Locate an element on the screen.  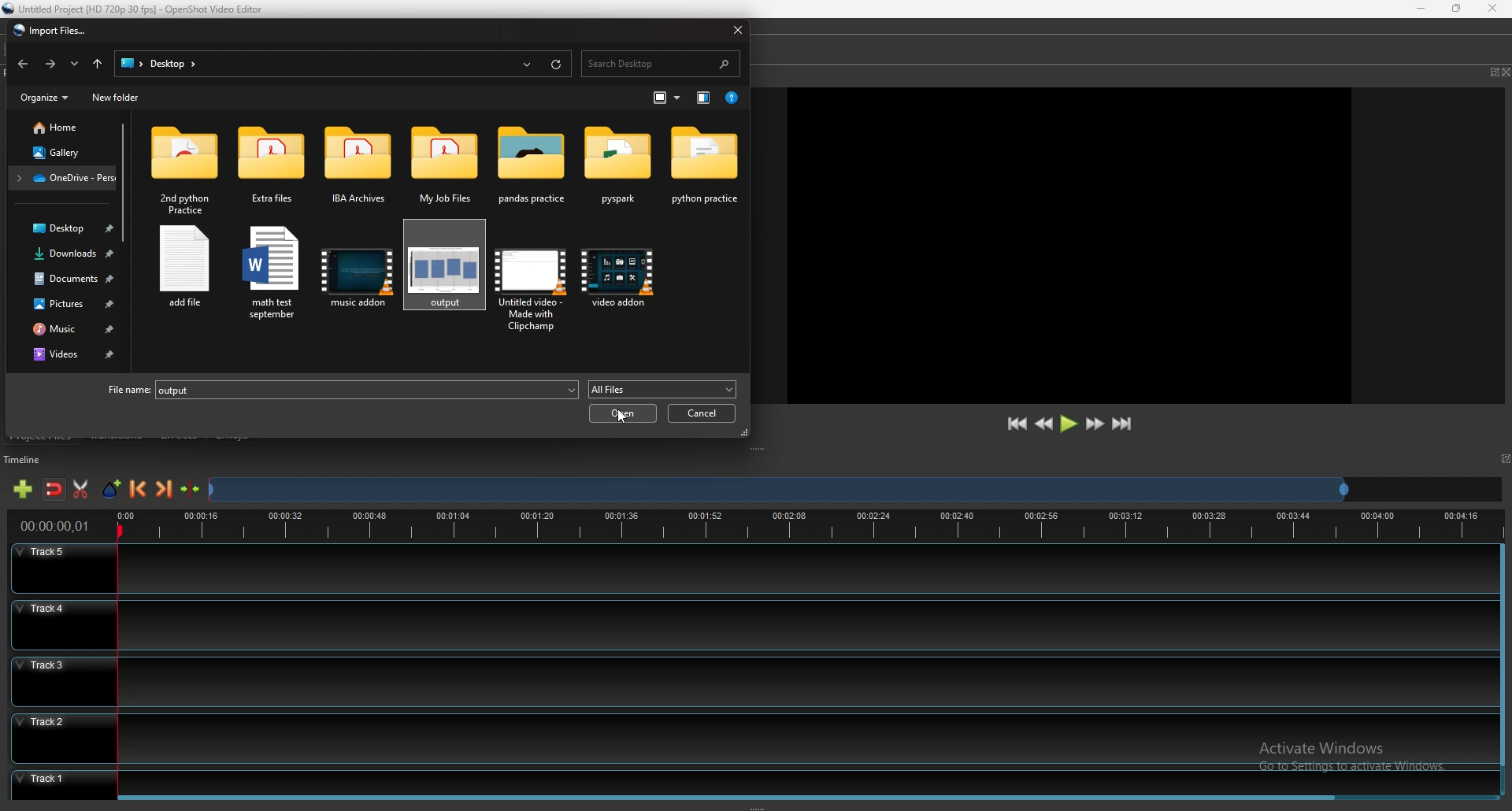
organize is located at coordinates (46, 97).